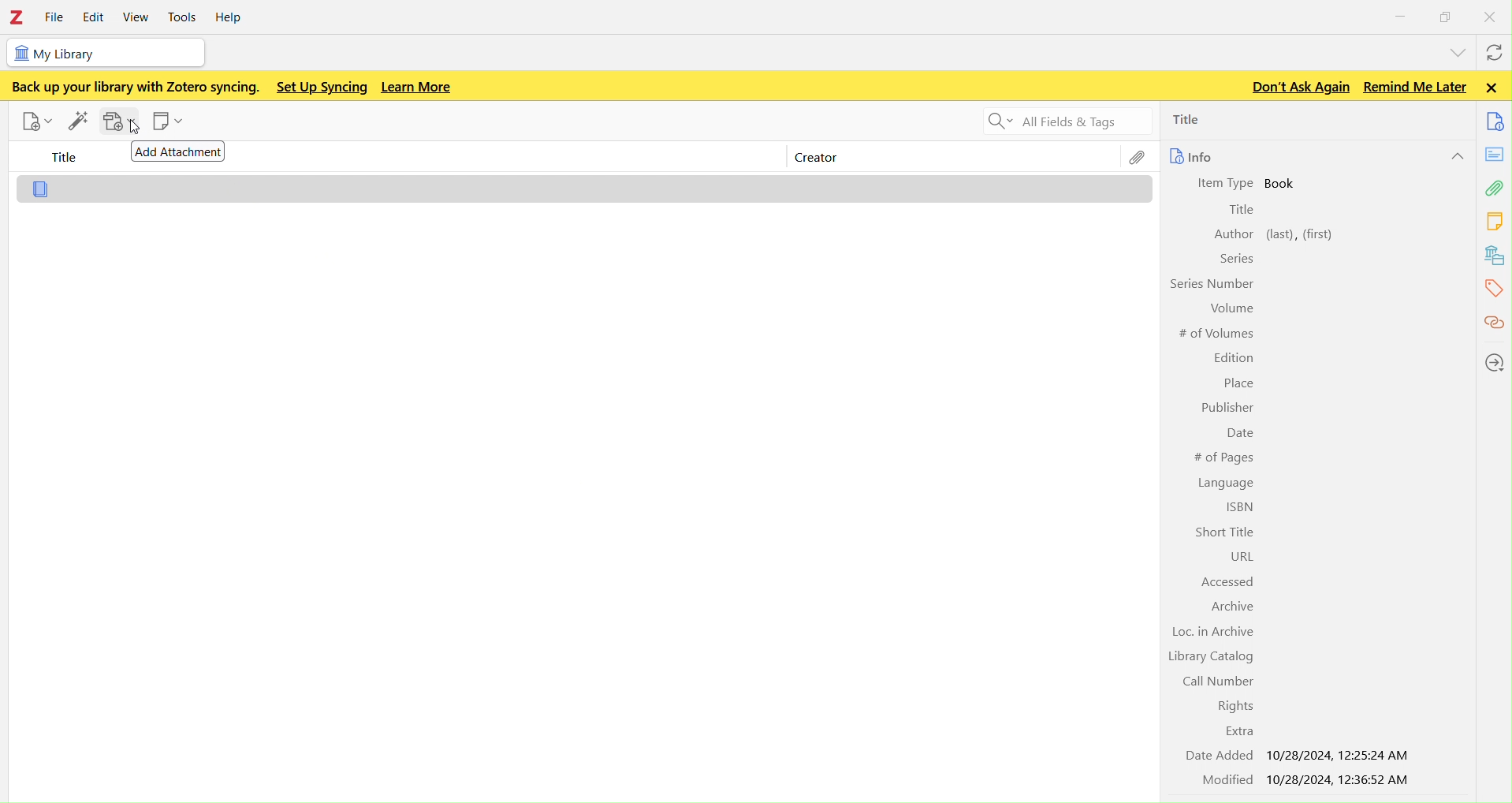 This screenshot has width=1512, height=803. I want to click on Extra, so click(1234, 731).